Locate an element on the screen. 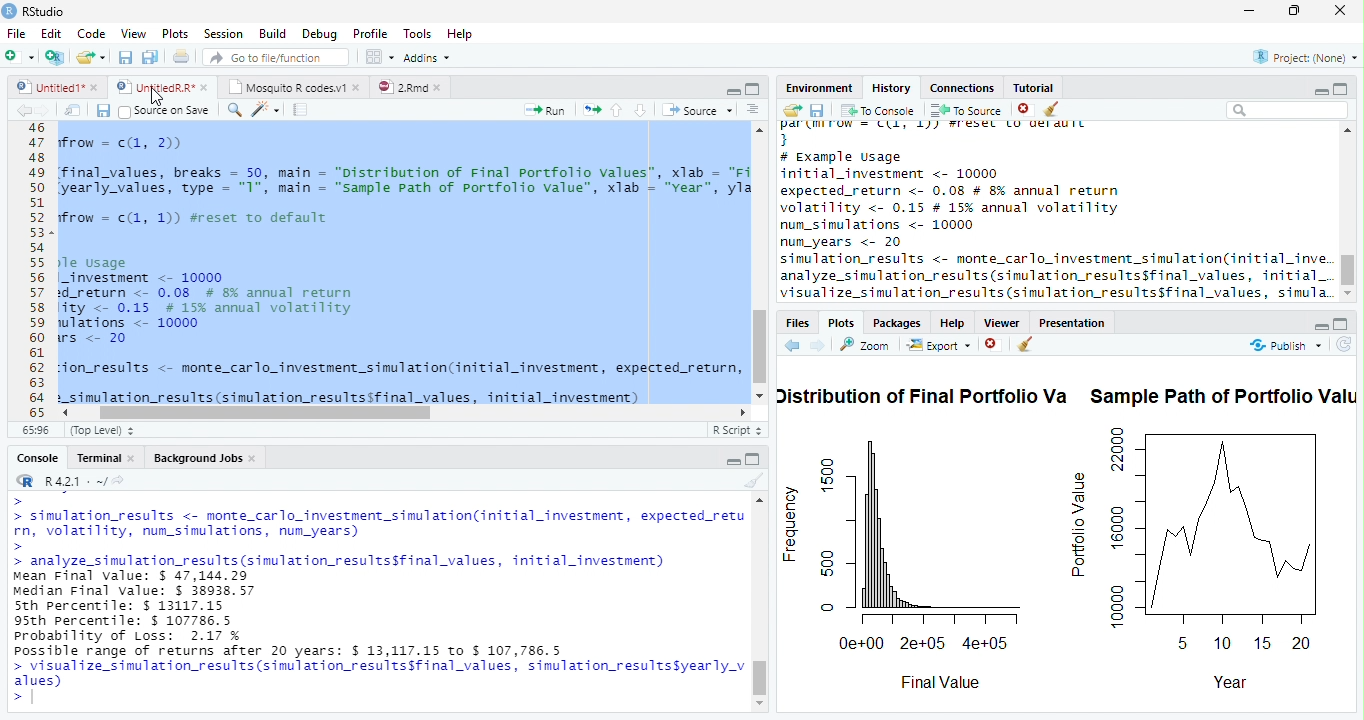  Scroll Up is located at coordinates (760, 132).